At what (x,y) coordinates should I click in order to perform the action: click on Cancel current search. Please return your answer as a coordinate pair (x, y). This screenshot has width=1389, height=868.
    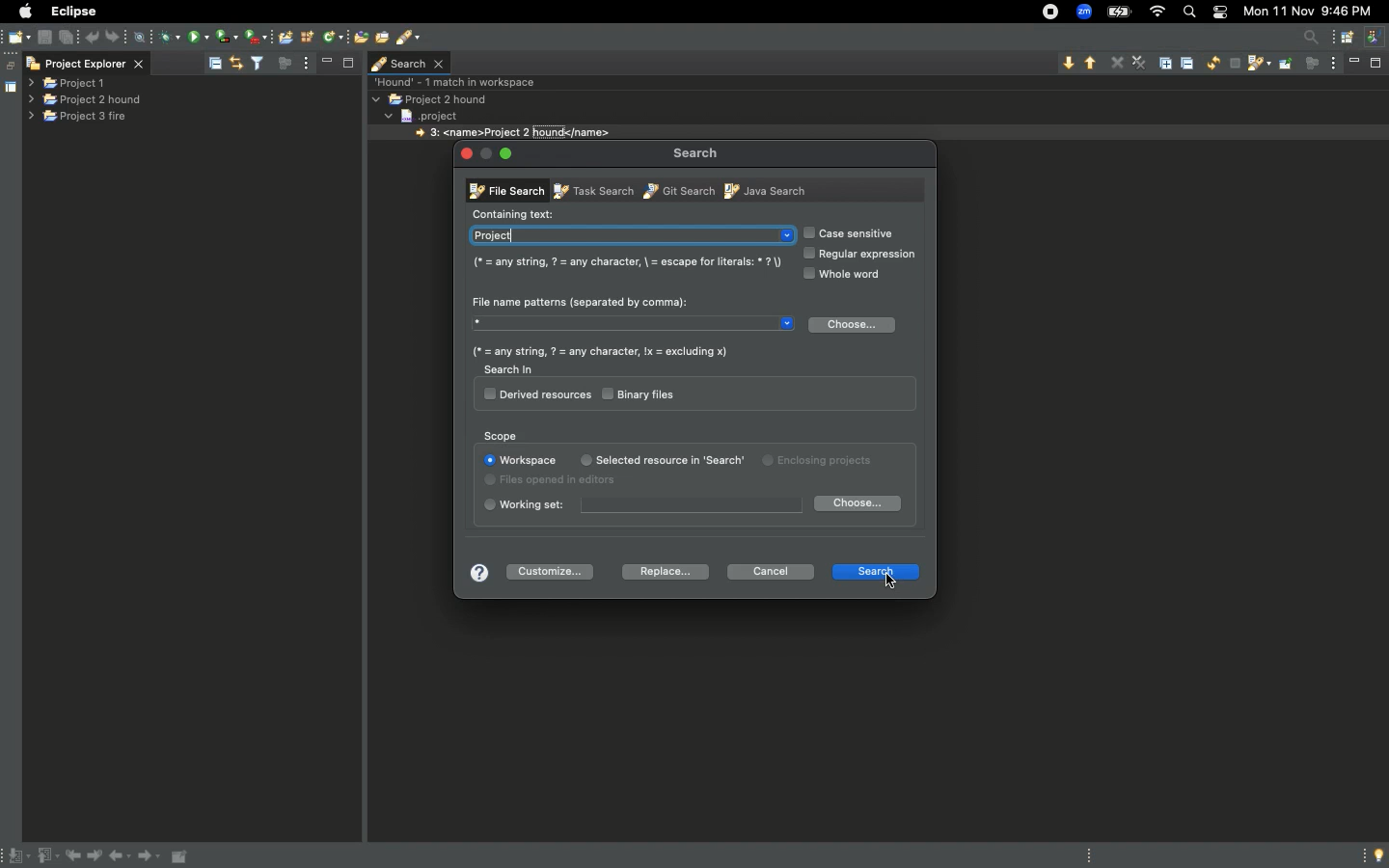
    Looking at the image, I should click on (1234, 65).